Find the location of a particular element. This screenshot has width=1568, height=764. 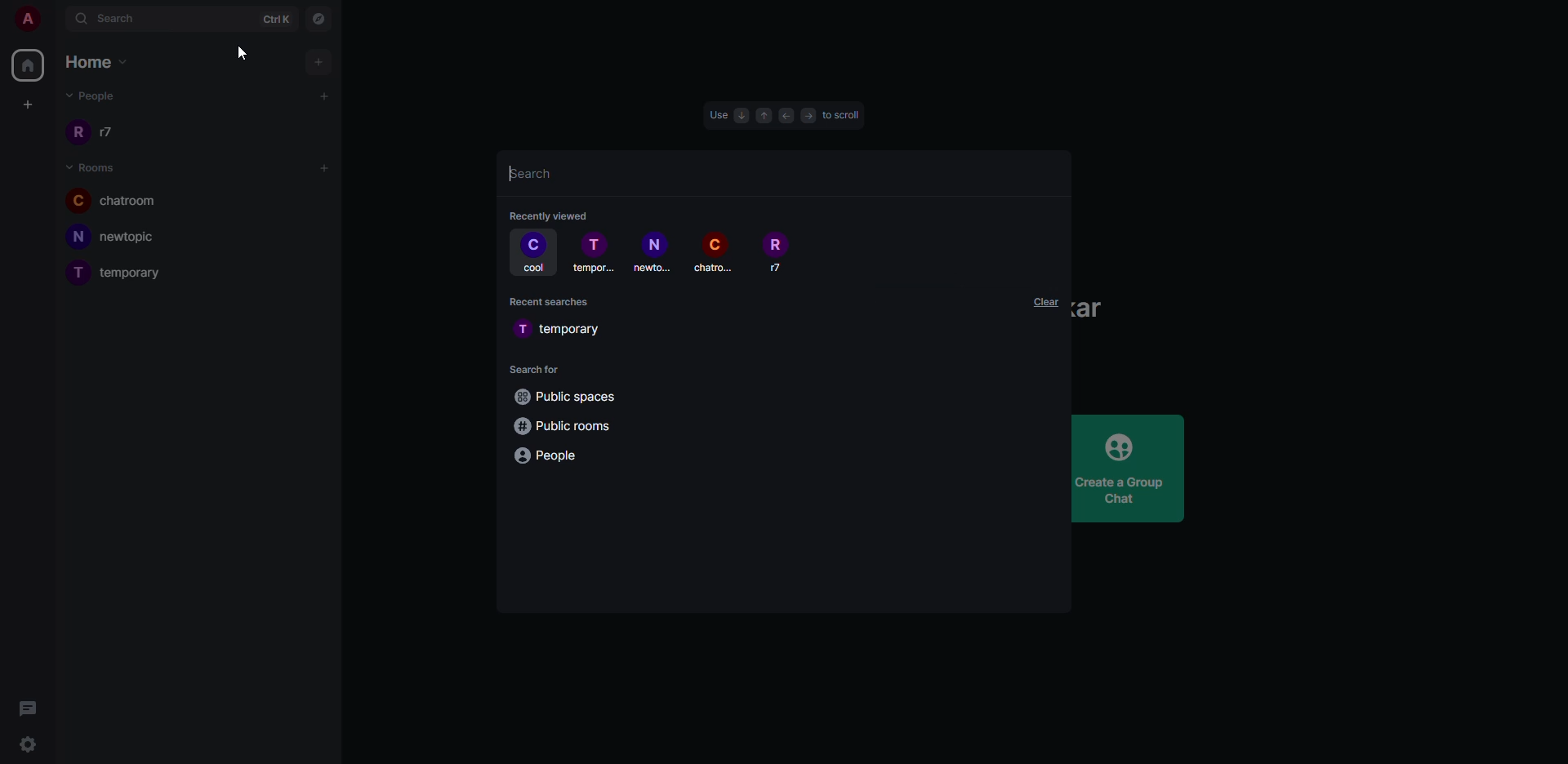

create space is located at coordinates (25, 104).